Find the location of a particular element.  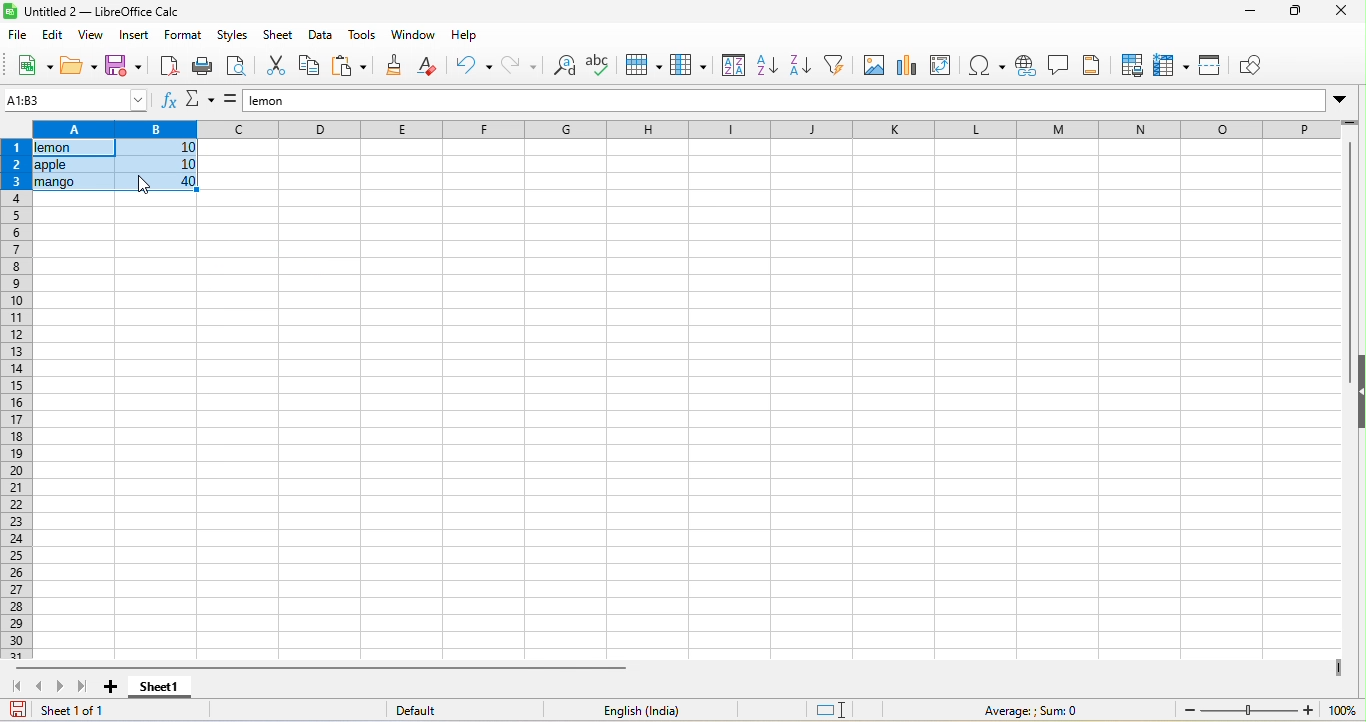

untitled 2- libre ofice calc is located at coordinates (109, 13).